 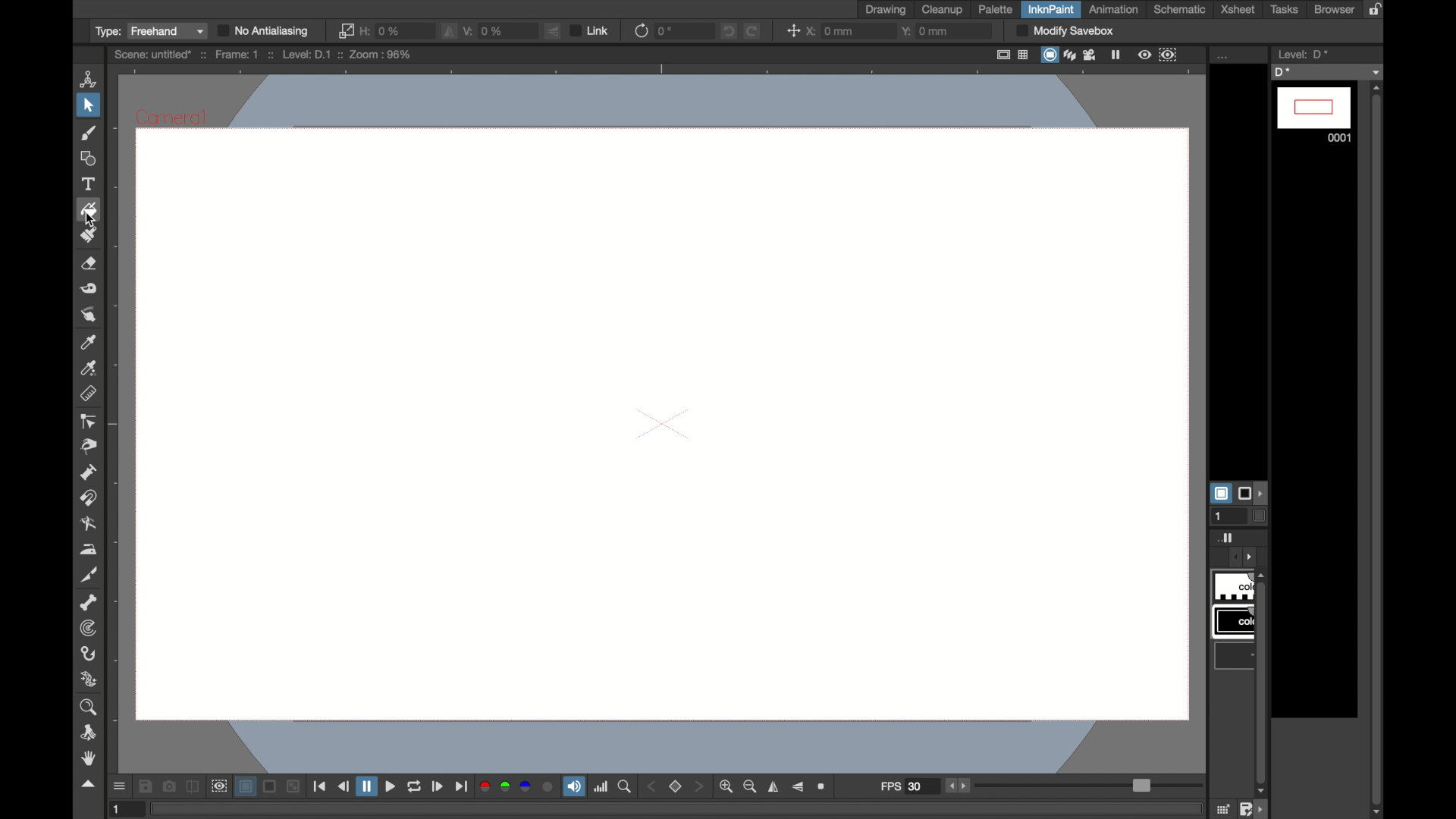 What do you see at coordinates (89, 549) in the screenshot?
I see `iron tool` at bounding box center [89, 549].